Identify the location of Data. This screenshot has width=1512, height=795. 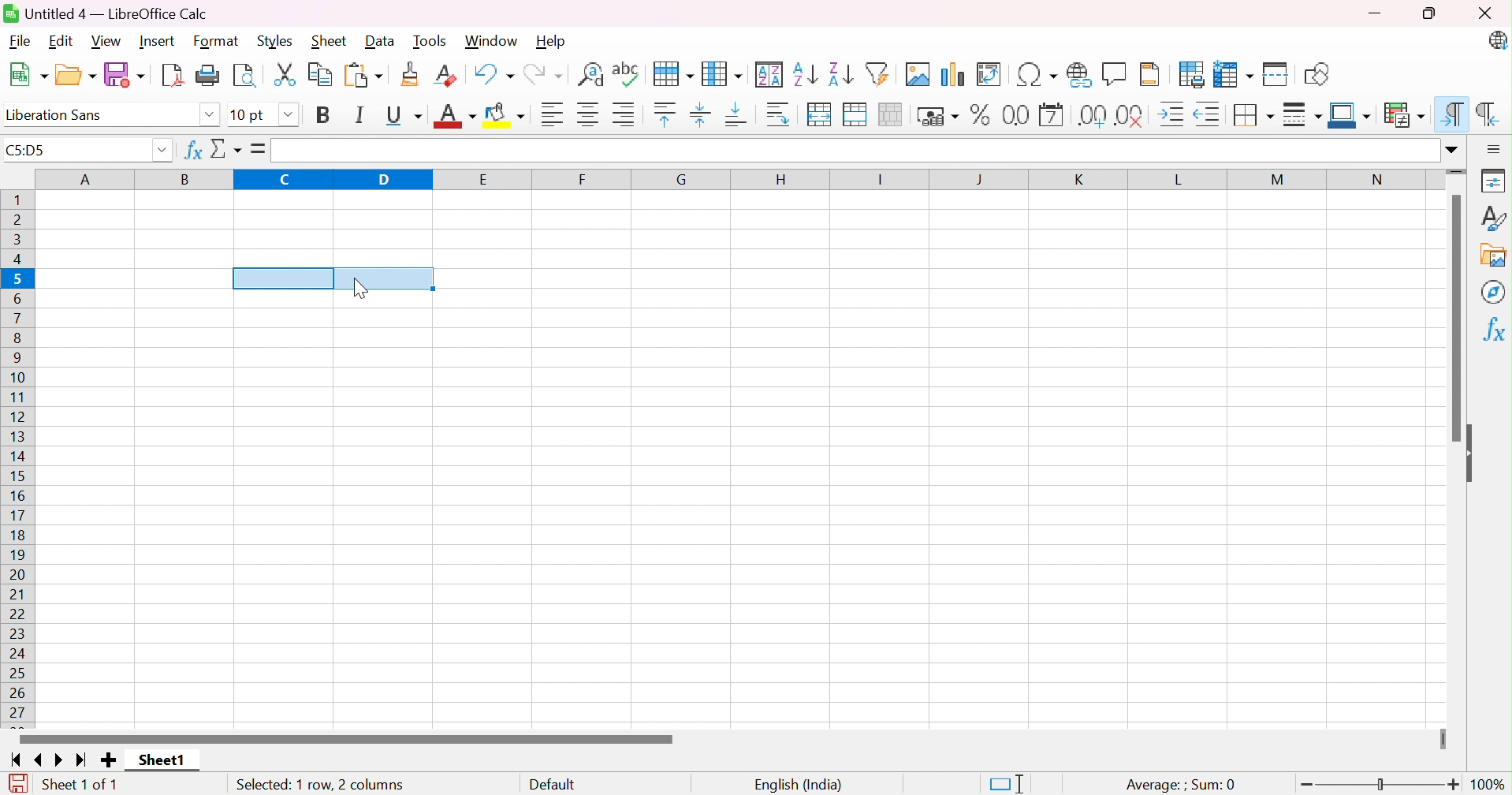
(382, 40).